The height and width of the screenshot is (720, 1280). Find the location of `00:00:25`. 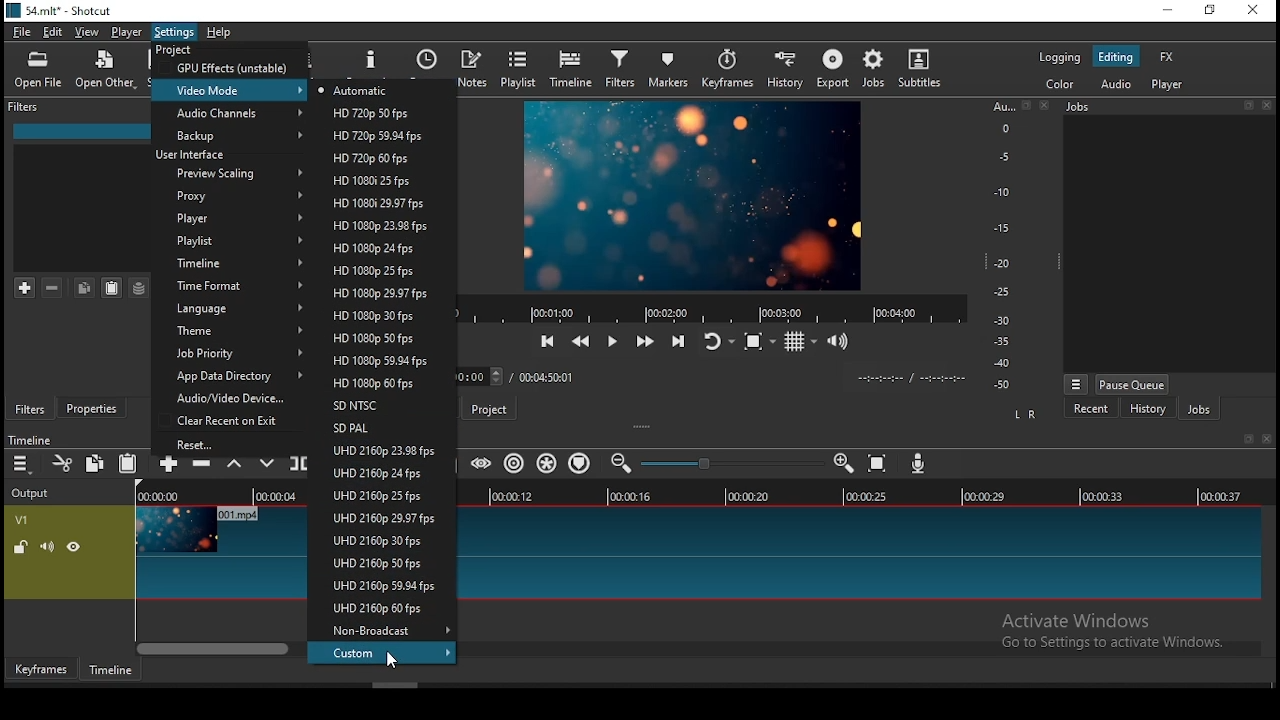

00:00:25 is located at coordinates (863, 497).